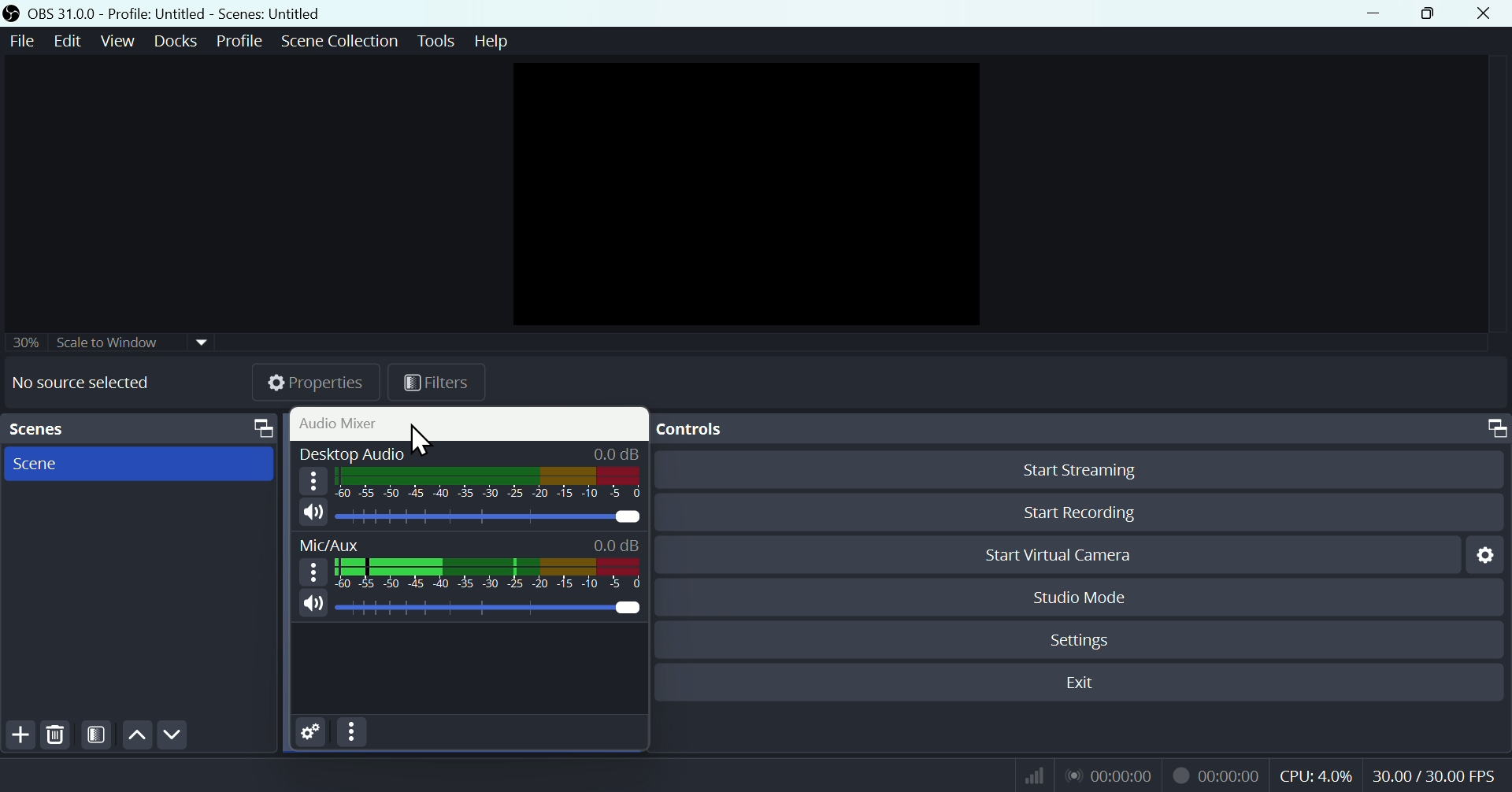  I want to click on Fil, so click(434, 385).